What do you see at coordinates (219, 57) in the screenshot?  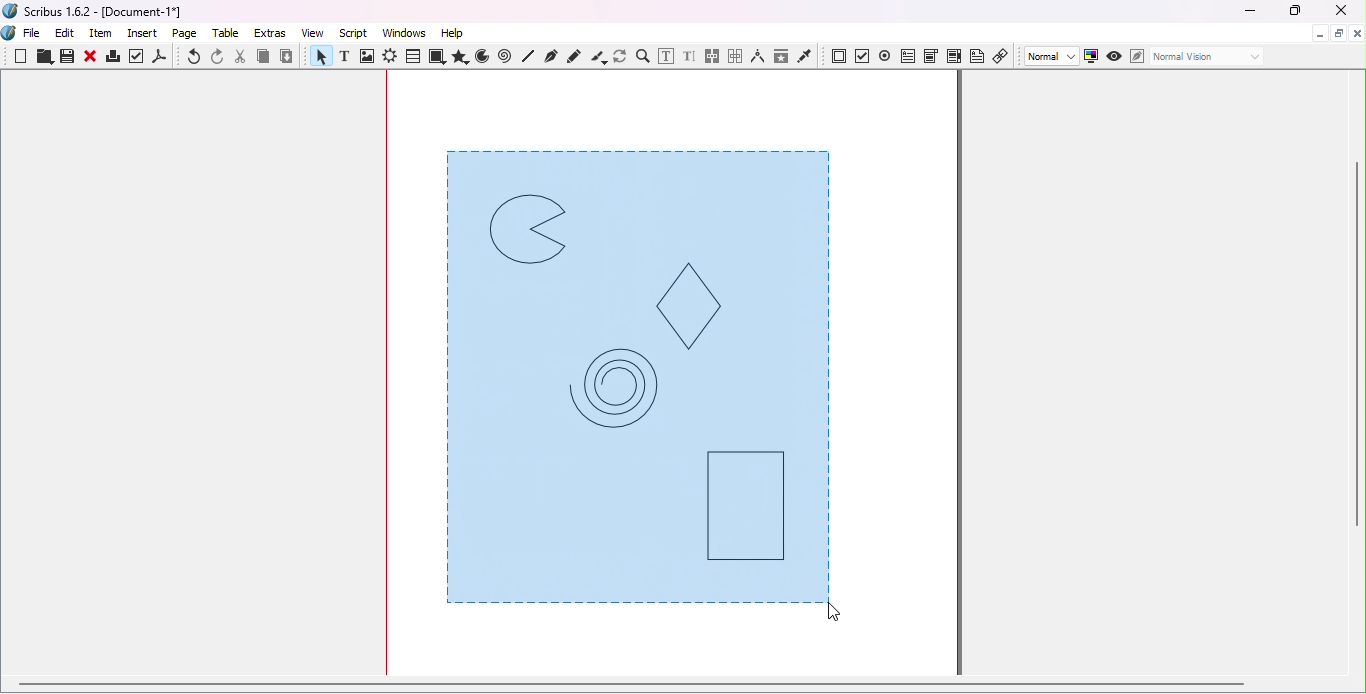 I see `Redo` at bounding box center [219, 57].